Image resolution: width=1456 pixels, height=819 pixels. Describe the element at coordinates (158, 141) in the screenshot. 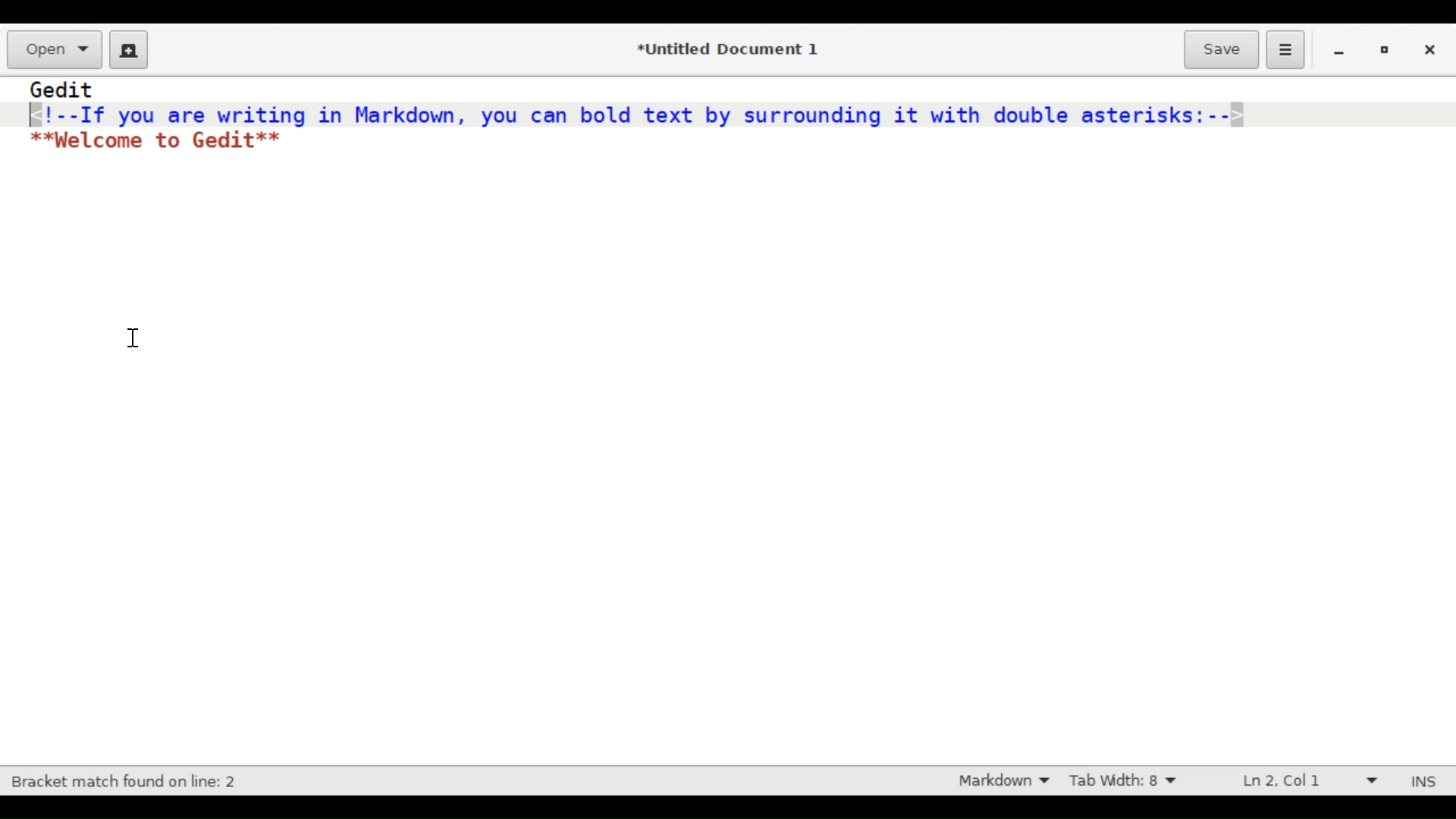

I see `**Welcome to Gedit**` at that location.